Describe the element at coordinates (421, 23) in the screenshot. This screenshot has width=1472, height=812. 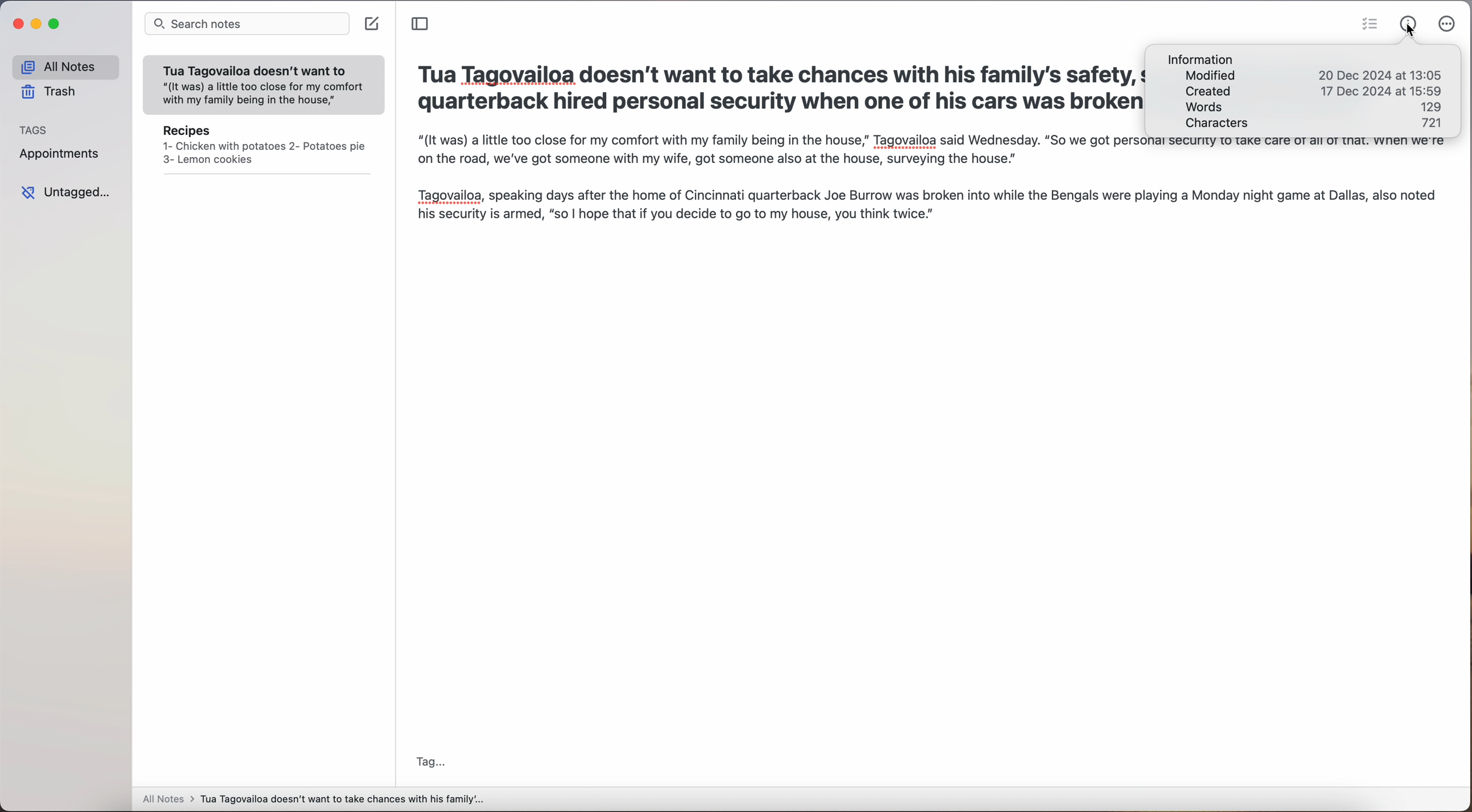
I see `toggle sidebar` at that location.